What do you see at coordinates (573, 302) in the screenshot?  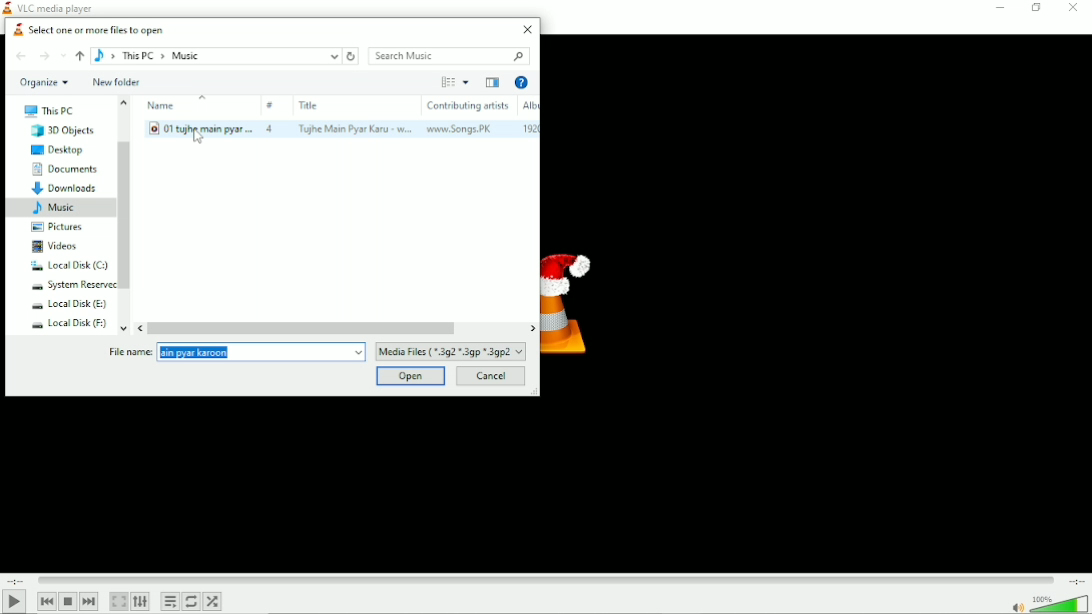 I see `Logo` at bounding box center [573, 302].